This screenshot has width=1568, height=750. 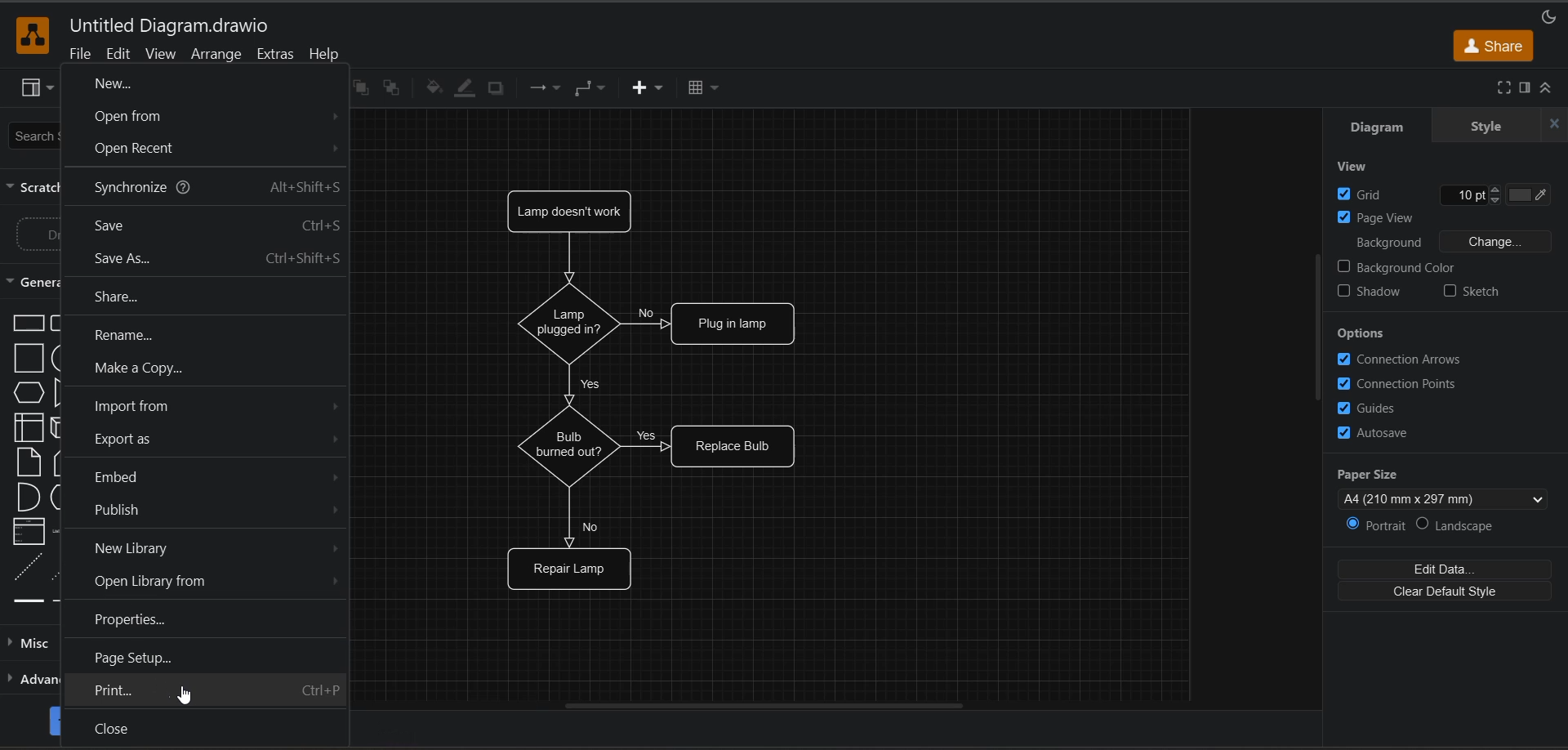 I want to click on diagram, so click(x=650, y=398).